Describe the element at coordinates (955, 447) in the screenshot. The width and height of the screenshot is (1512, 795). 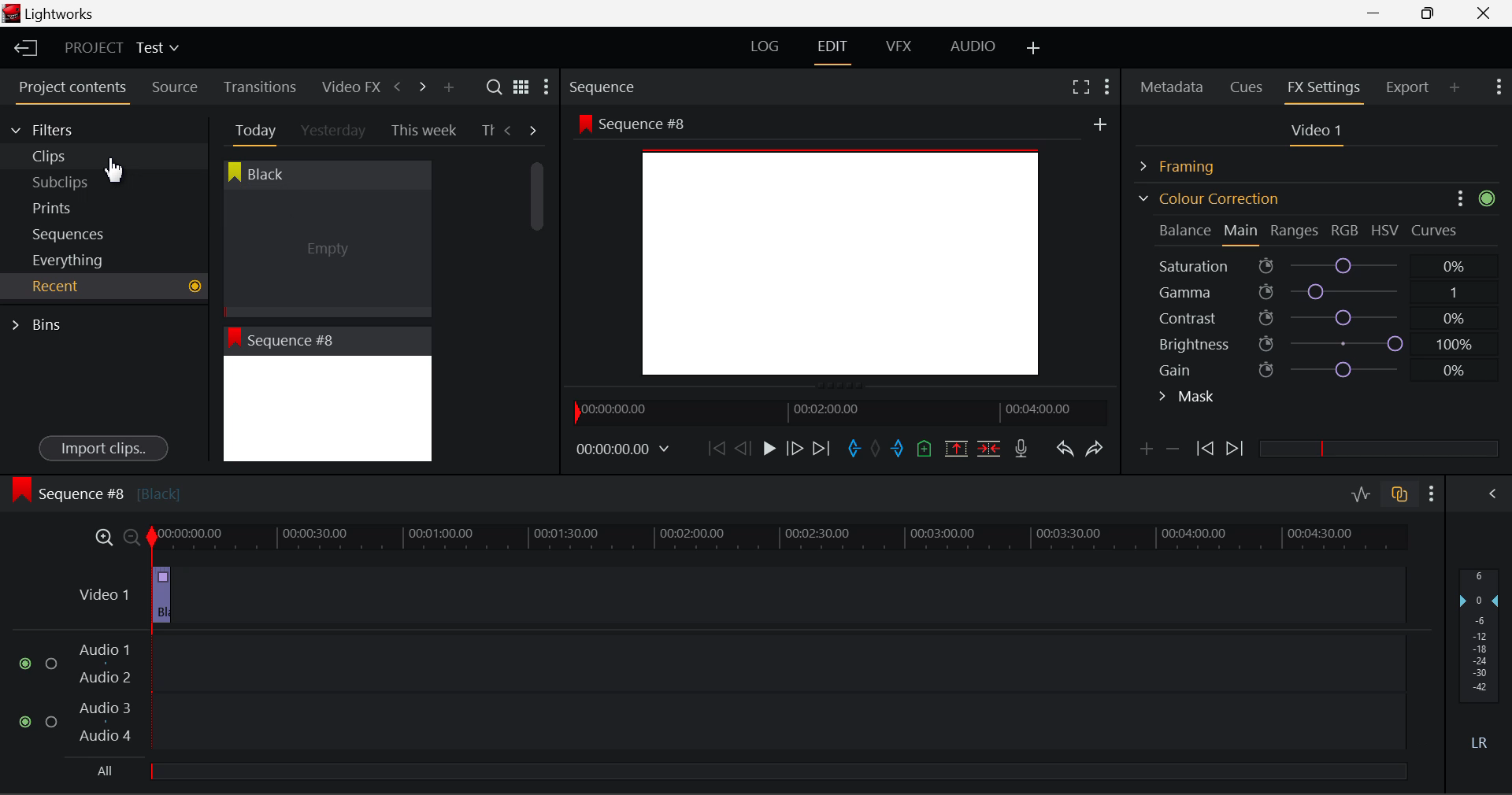
I see `Remove marked section` at that location.